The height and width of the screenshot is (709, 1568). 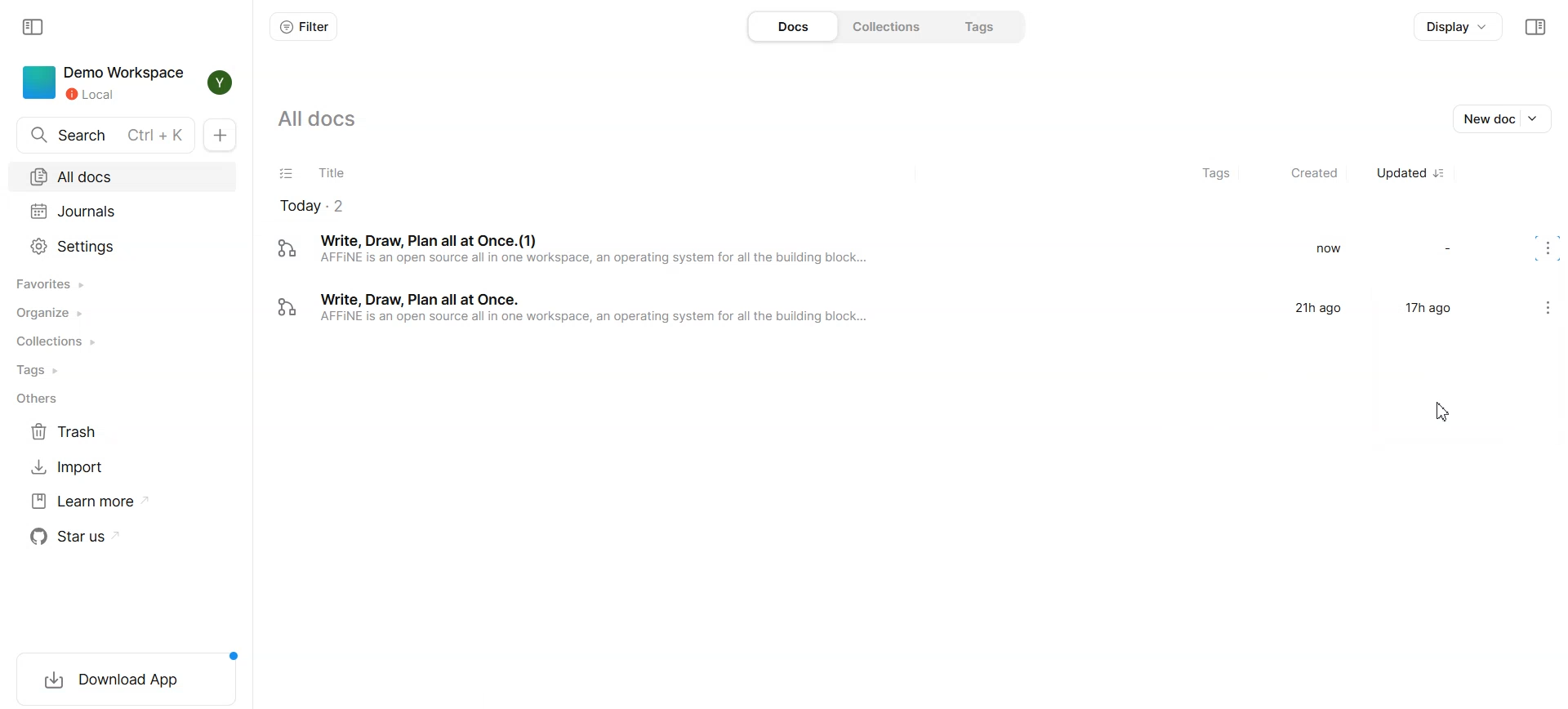 I want to click on Checklist, so click(x=286, y=173).